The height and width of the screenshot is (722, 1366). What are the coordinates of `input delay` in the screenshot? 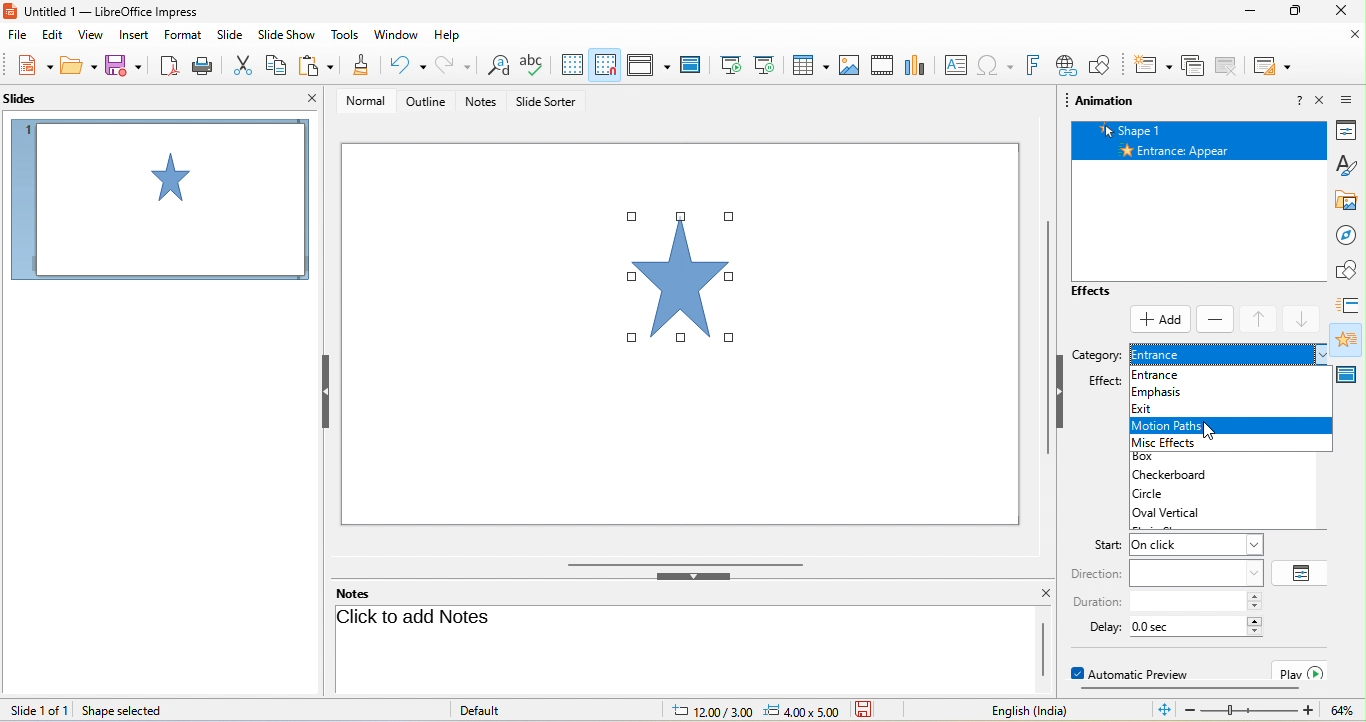 It's located at (1189, 626).